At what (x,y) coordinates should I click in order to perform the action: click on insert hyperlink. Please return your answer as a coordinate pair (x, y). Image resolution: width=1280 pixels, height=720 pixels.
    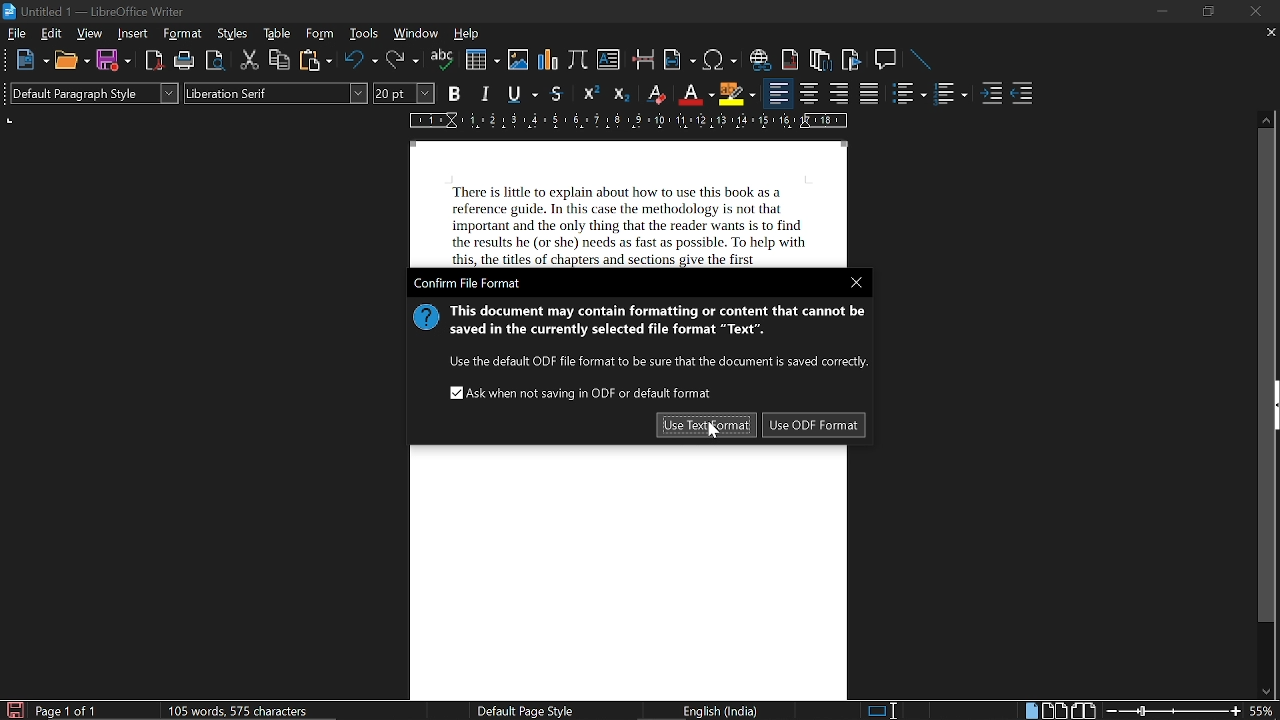
    Looking at the image, I should click on (761, 60).